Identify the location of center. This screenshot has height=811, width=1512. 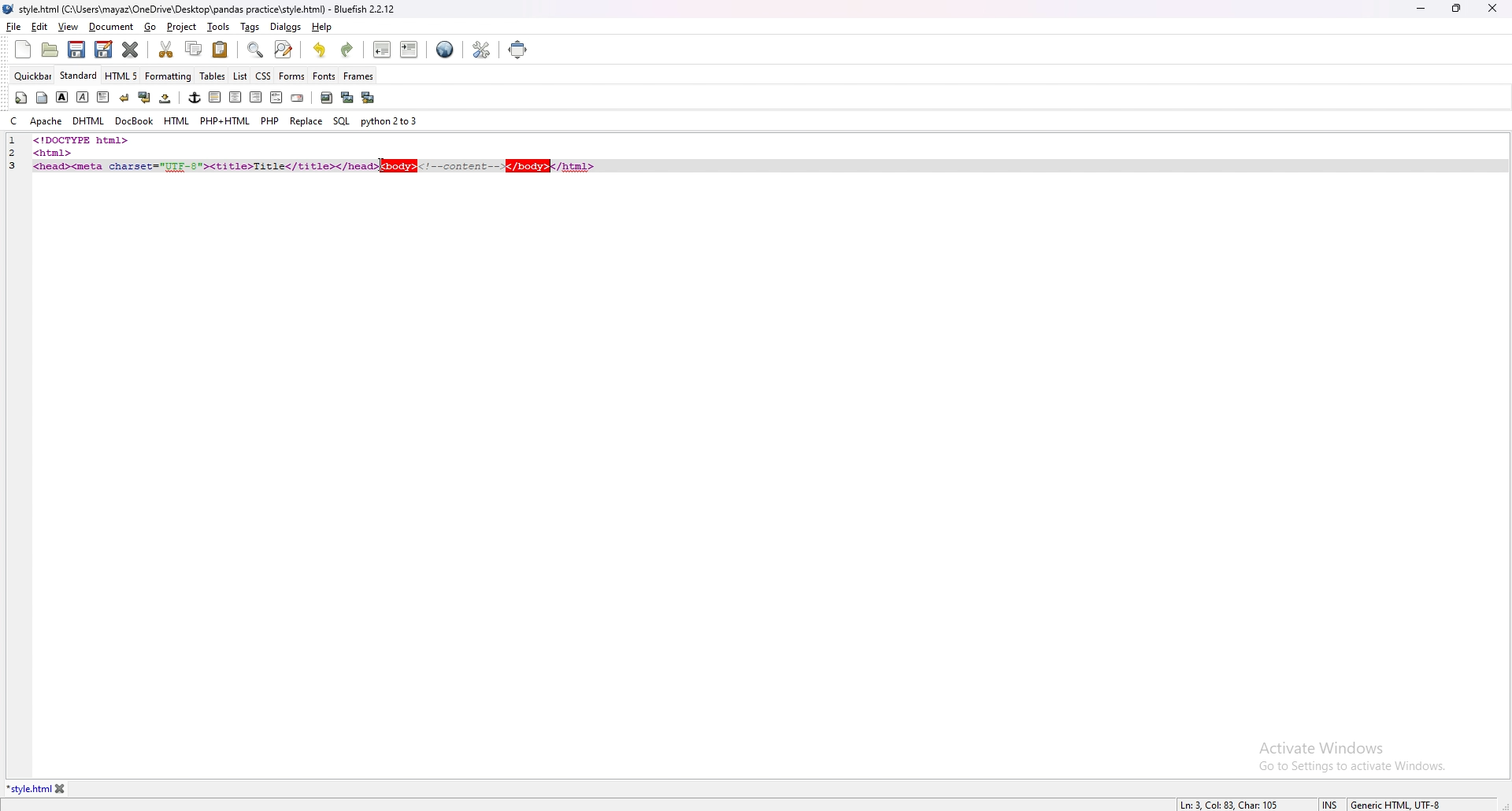
(235, 98).